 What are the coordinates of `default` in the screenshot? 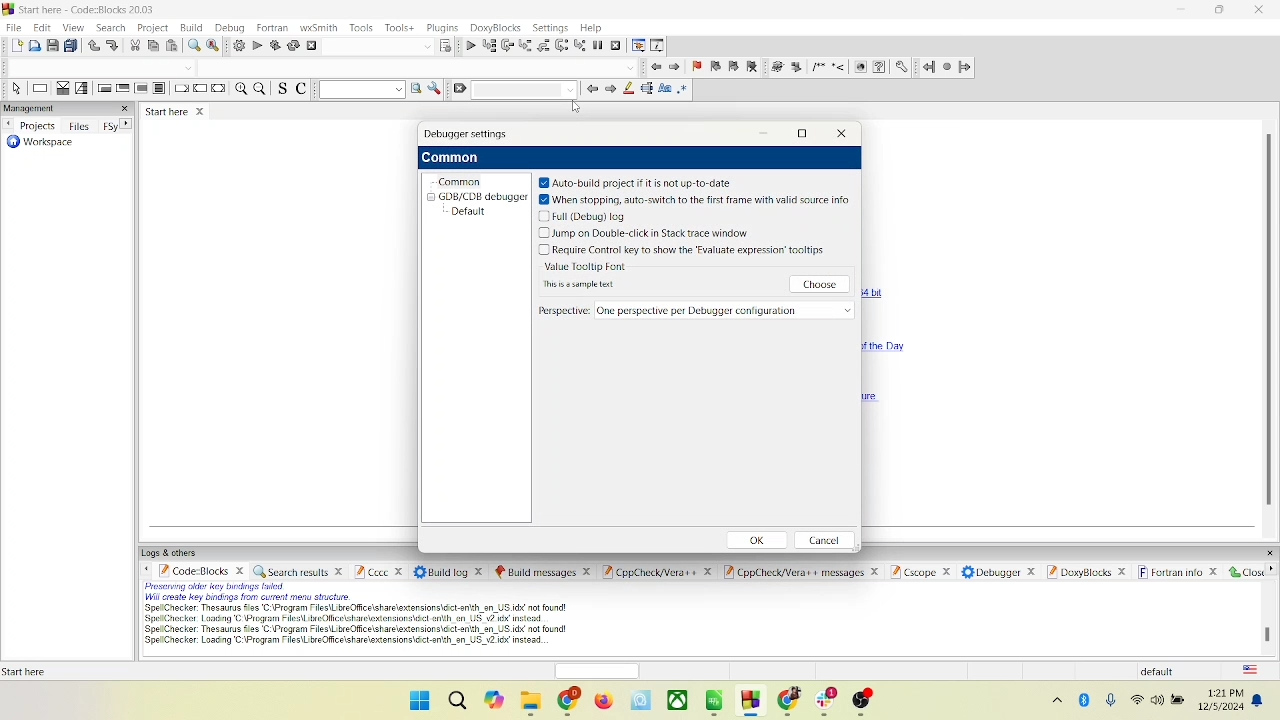 It's located at (1166, 671).